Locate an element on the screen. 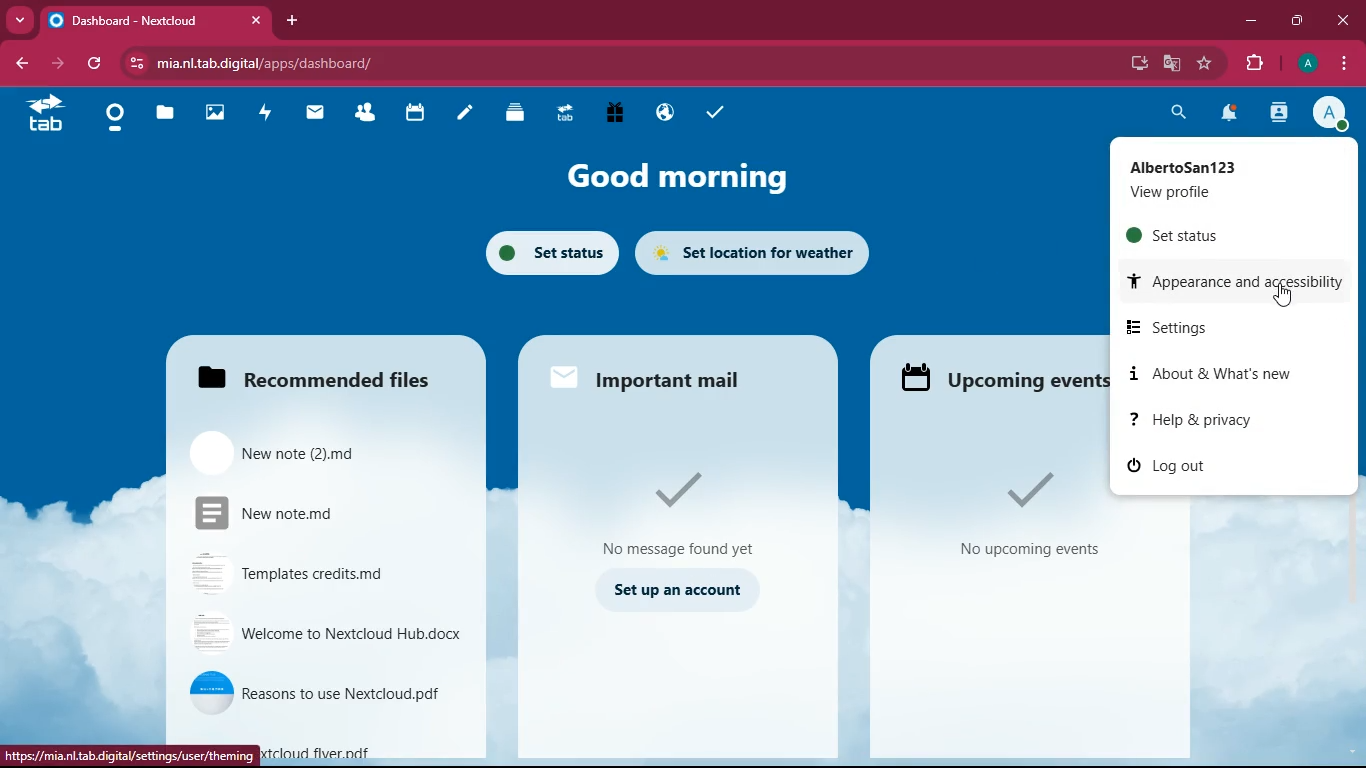  welcome to nextcloud hub.docx is located at coordinates (325, 635).